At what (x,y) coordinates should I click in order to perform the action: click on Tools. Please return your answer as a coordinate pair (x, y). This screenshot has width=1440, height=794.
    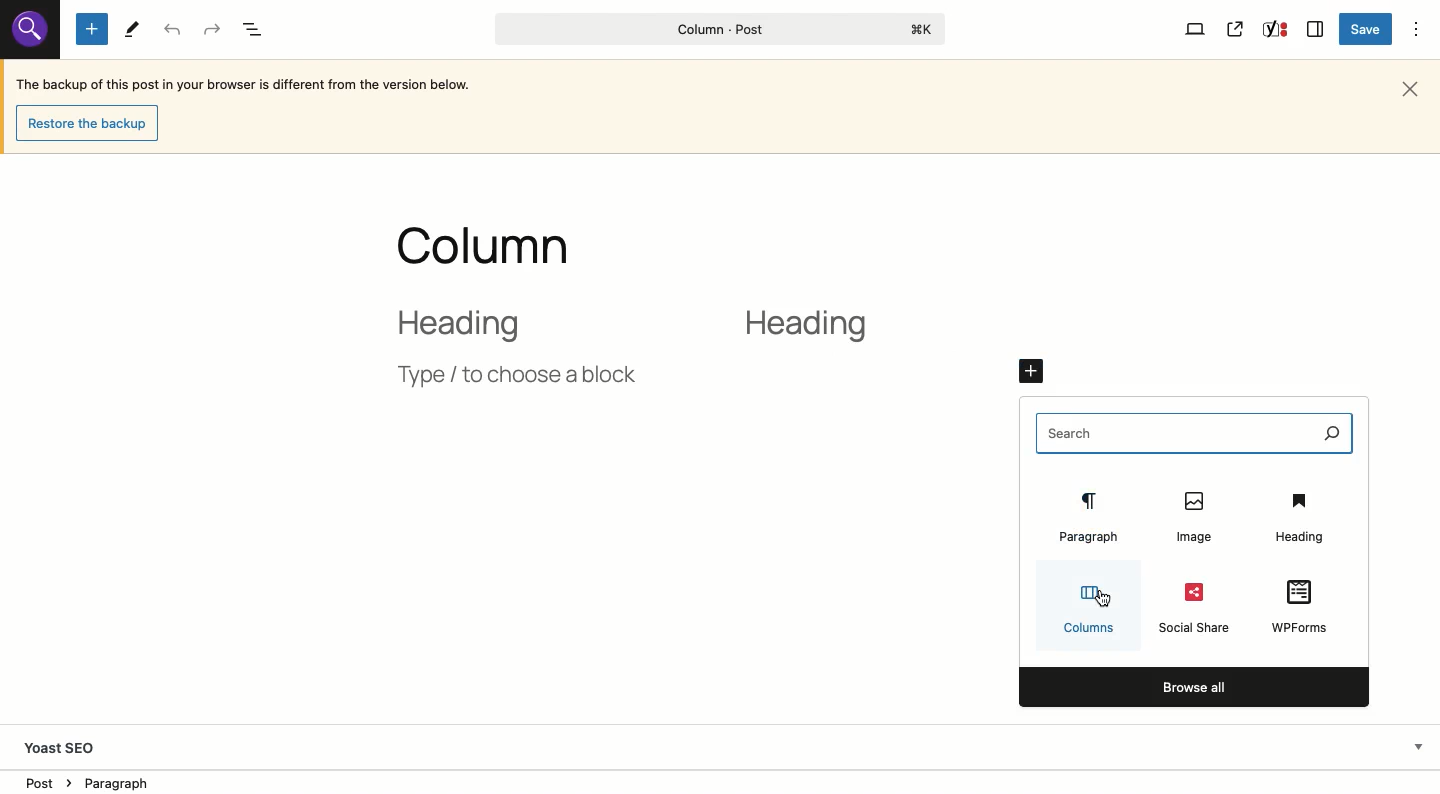
    Looking at the image, I should click on (132, 30).